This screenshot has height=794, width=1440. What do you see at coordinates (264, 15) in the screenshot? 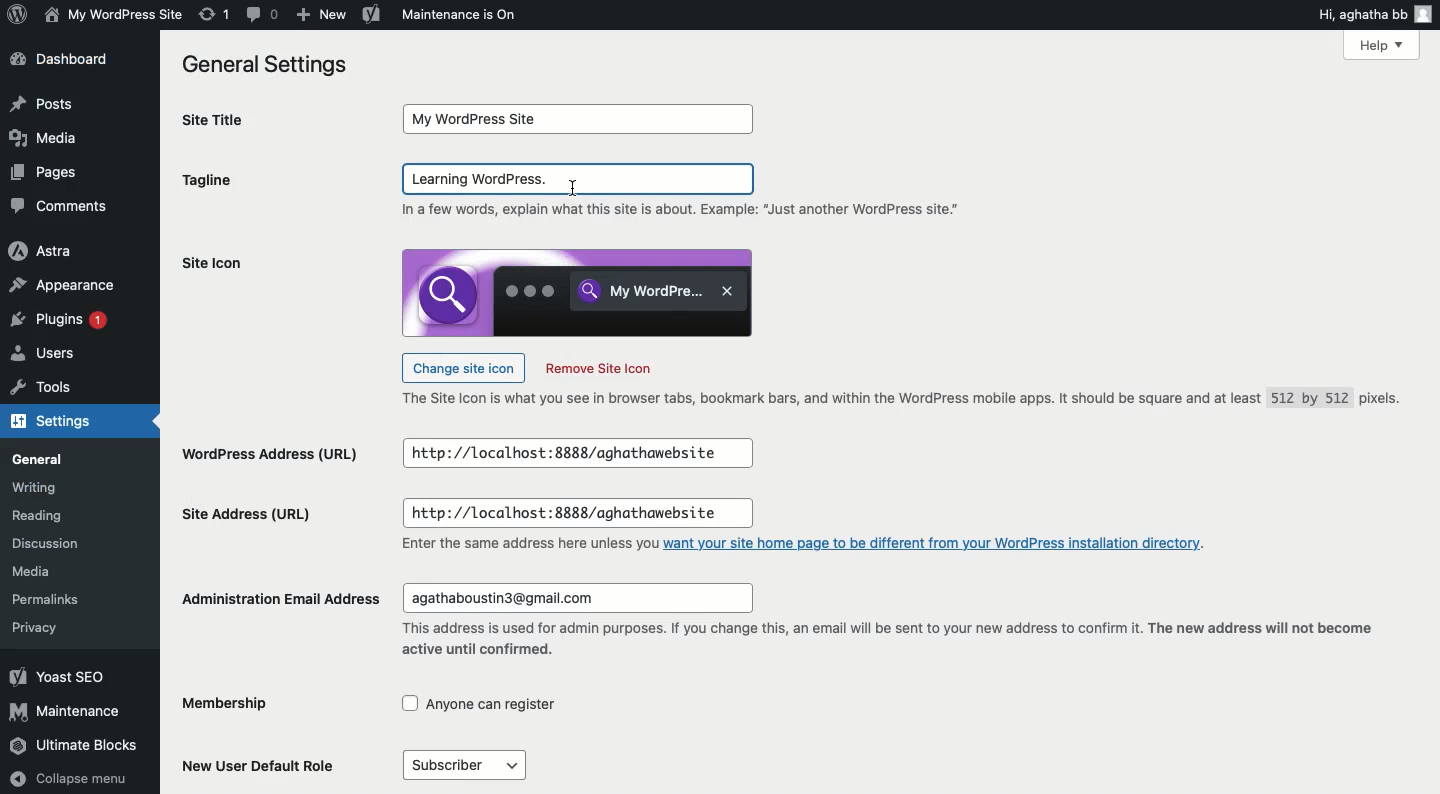
I see `Comment` at bounding box center [264, 15].